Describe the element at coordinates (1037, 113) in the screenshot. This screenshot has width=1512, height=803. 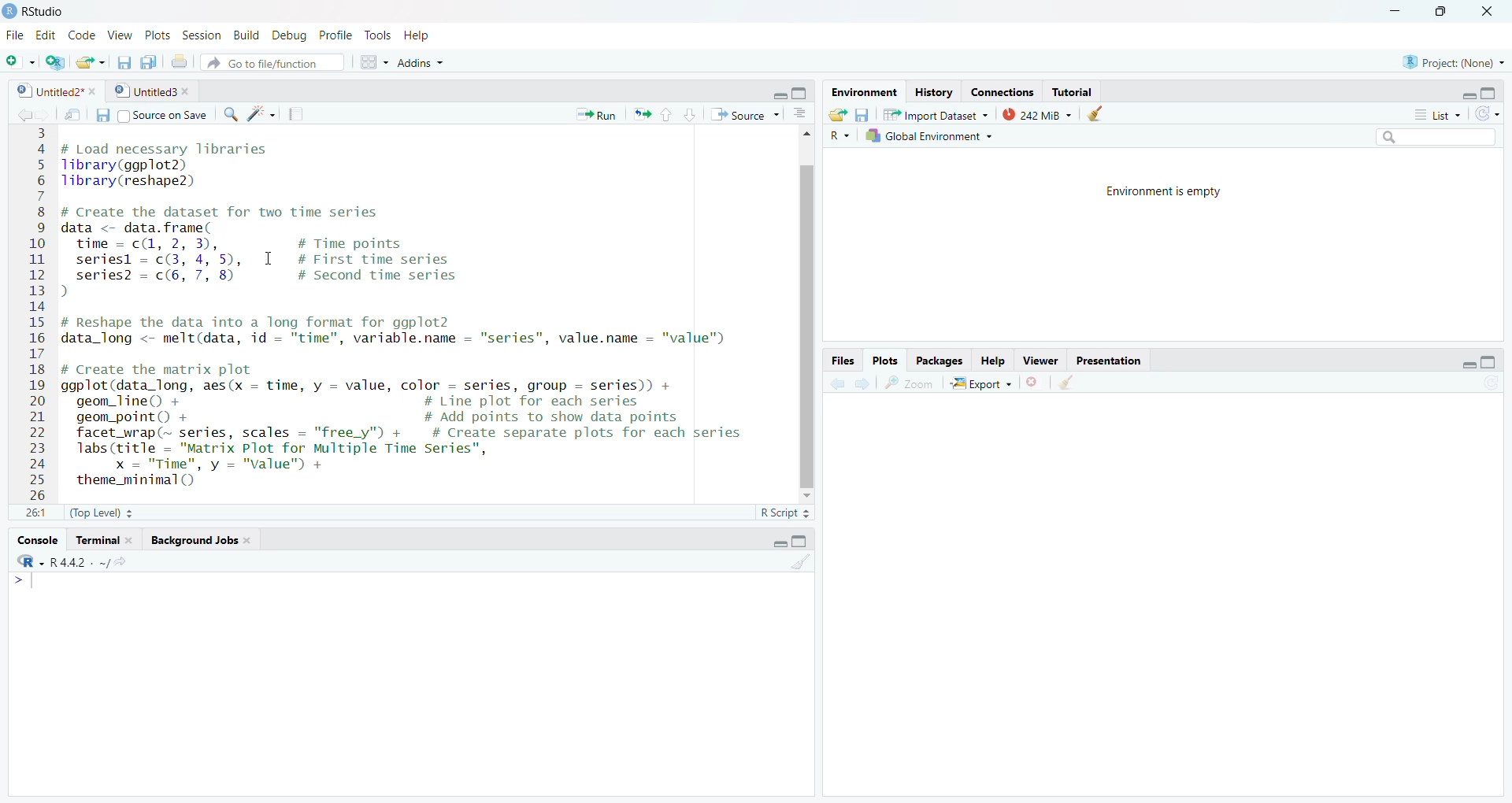
I see `242miB` at that location.